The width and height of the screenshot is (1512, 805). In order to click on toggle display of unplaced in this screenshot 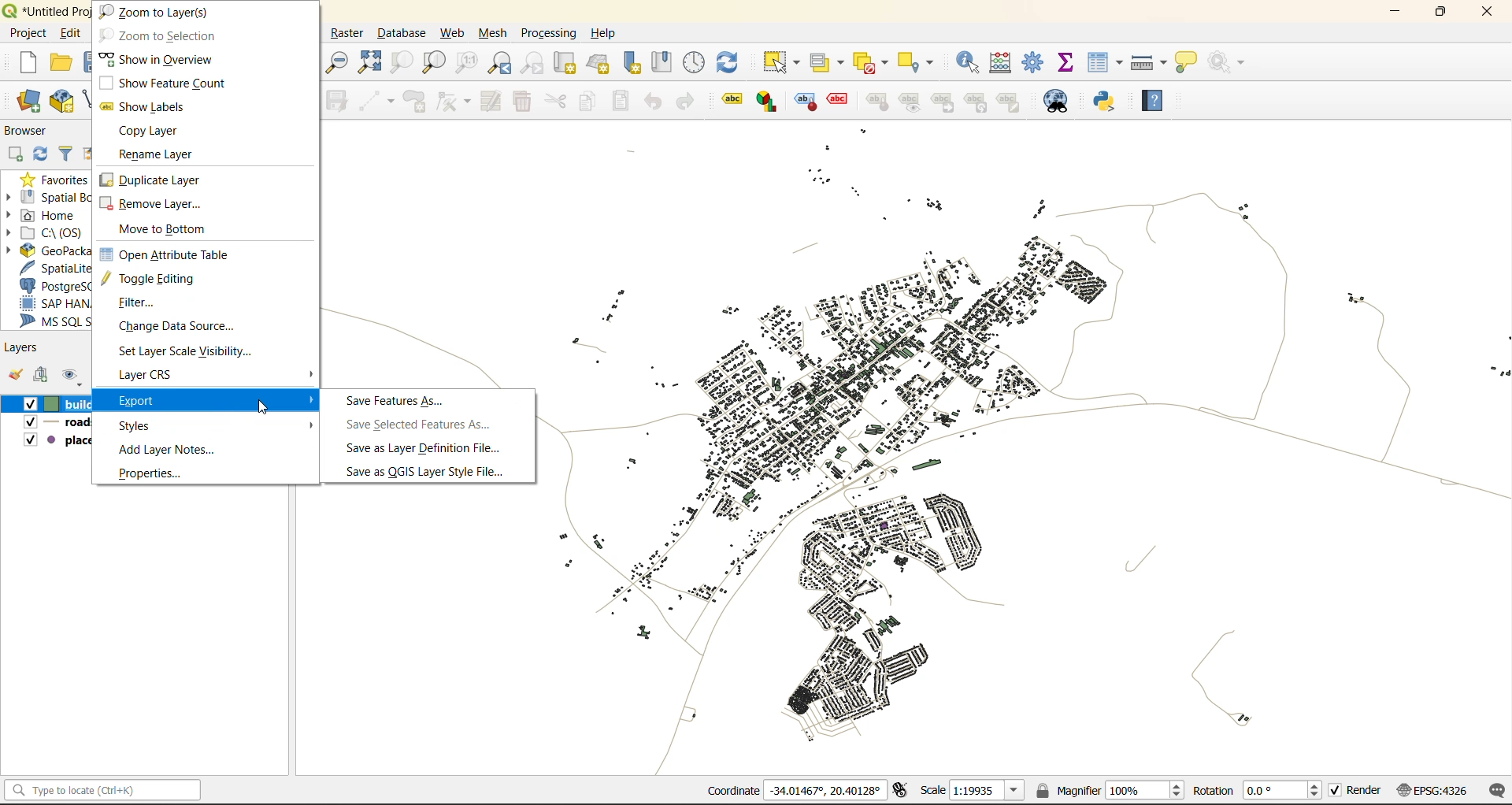, I will do `click(839, 103)`.